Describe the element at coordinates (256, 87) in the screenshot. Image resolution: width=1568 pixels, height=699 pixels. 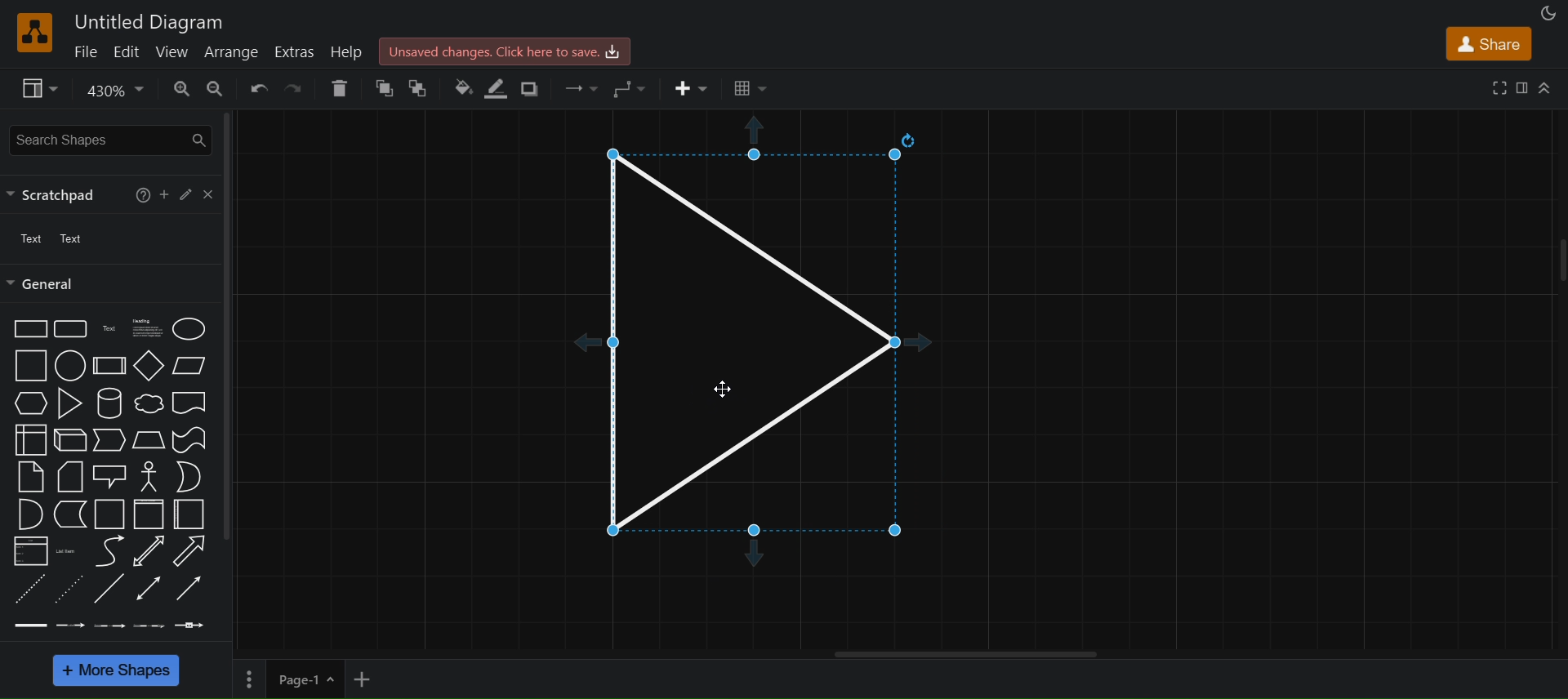
I see `undo` at that location.